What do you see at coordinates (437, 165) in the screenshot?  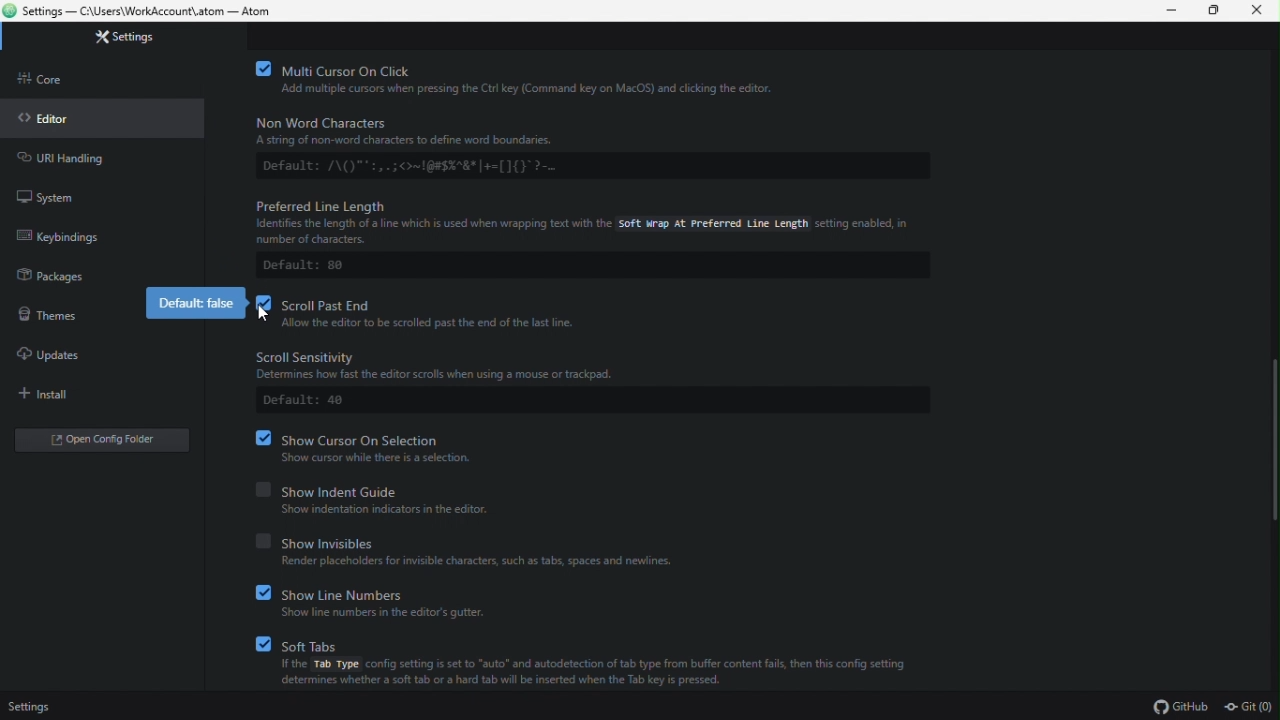 I see `Default: /\()"":,.;O~I@¥S% 8" |+=[]{} ?--` at bounding box center [437, 165].